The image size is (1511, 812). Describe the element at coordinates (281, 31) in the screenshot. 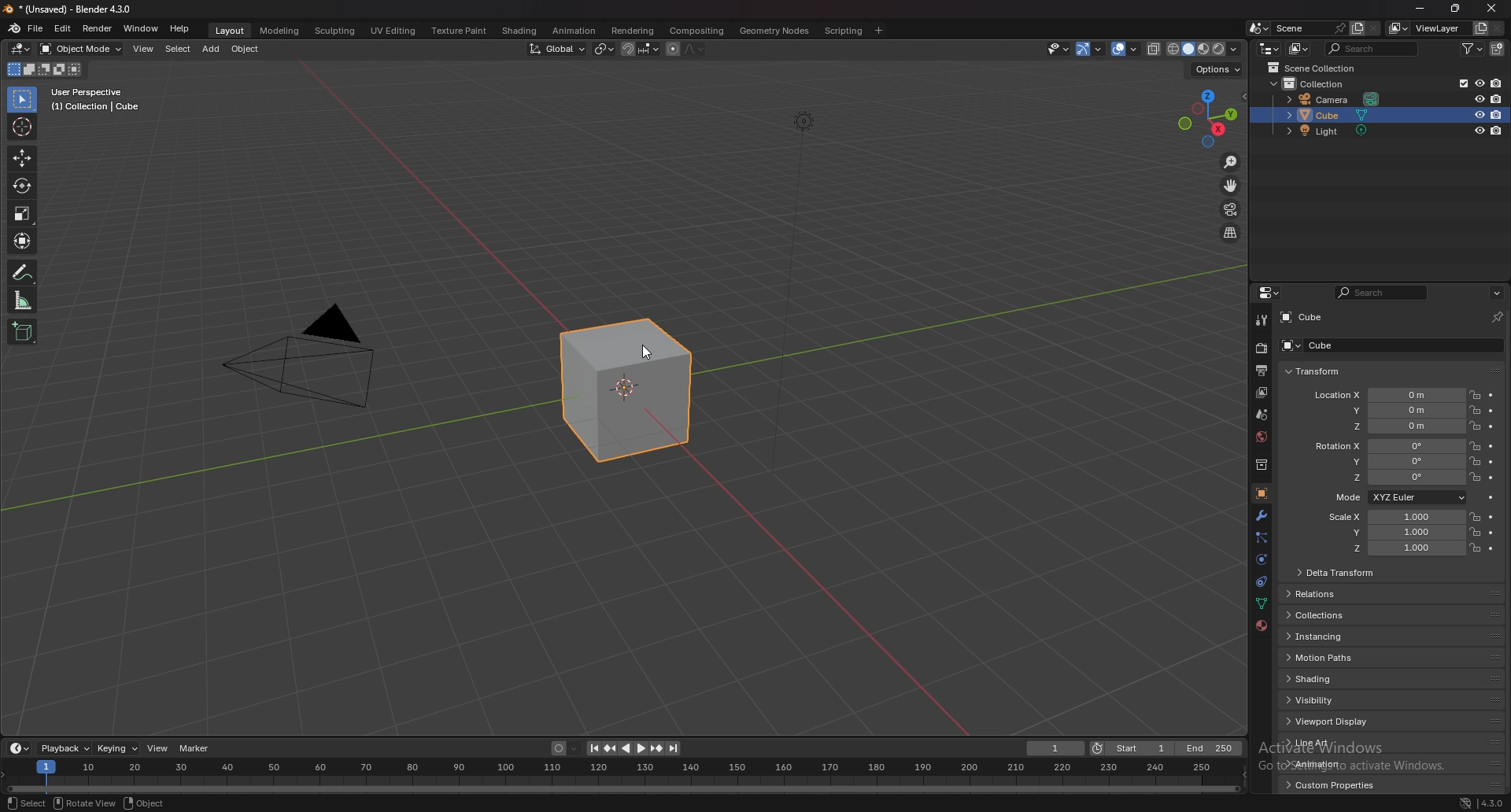

I see `modeling` at that location.